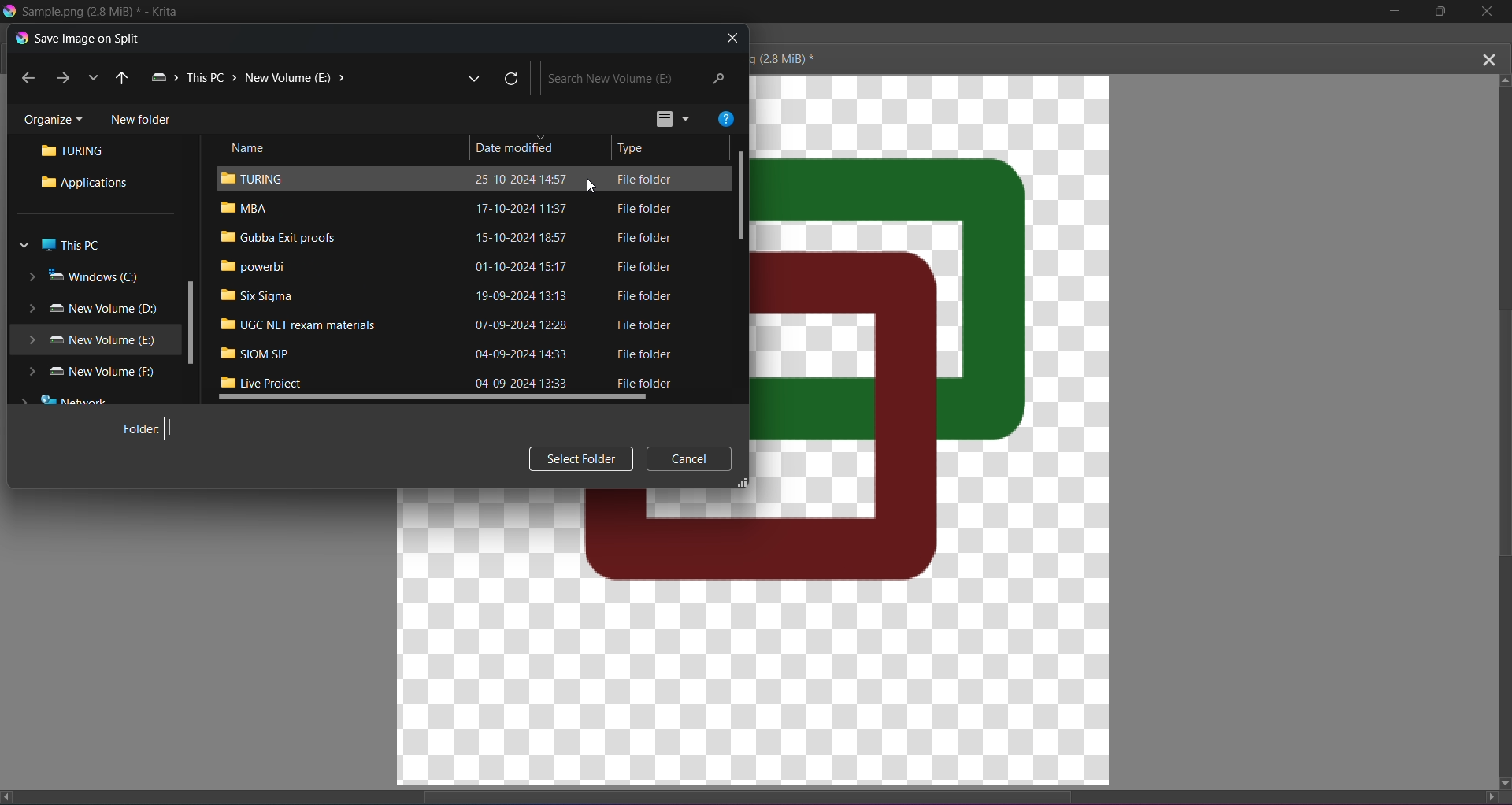 Image resolution: width=1512 pixels, height=805 pixels. What do you see at coordinates (1506, 78) in the screenshot?
I see `Scroll up` at bounding box center [1506, 78].